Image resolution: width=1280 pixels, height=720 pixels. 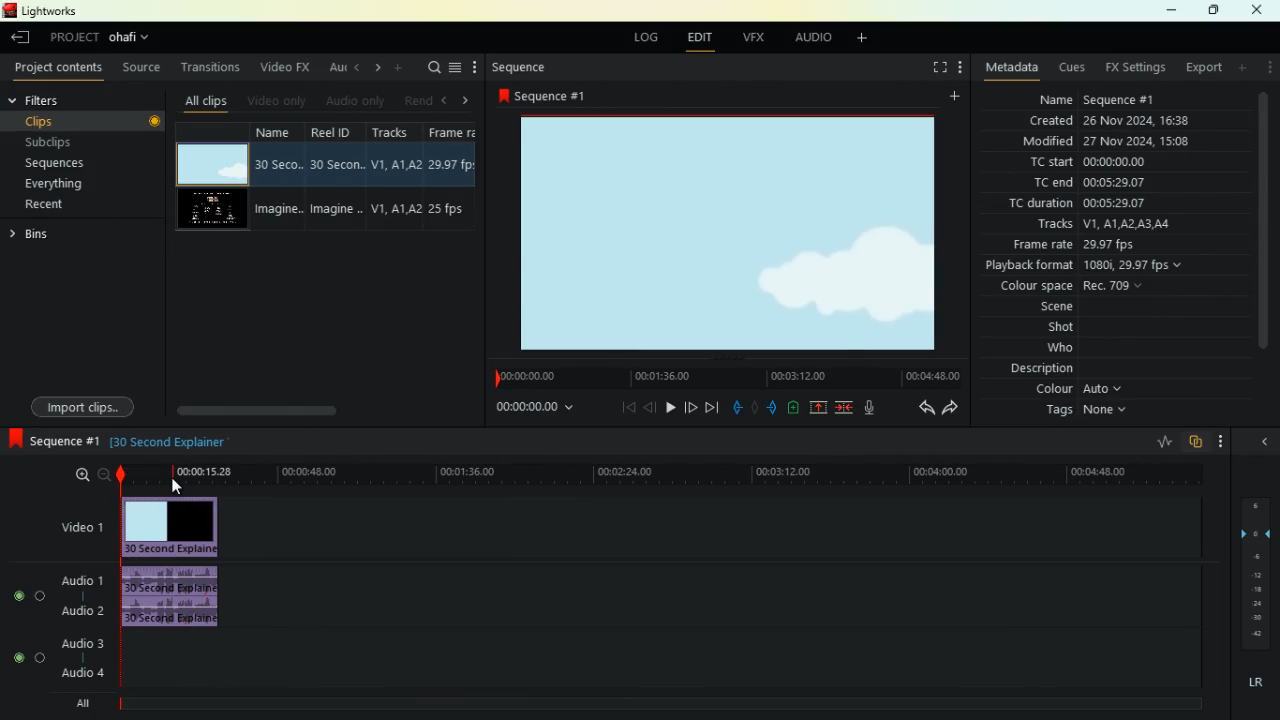 I want to click on add, so click(x=860, y=39).